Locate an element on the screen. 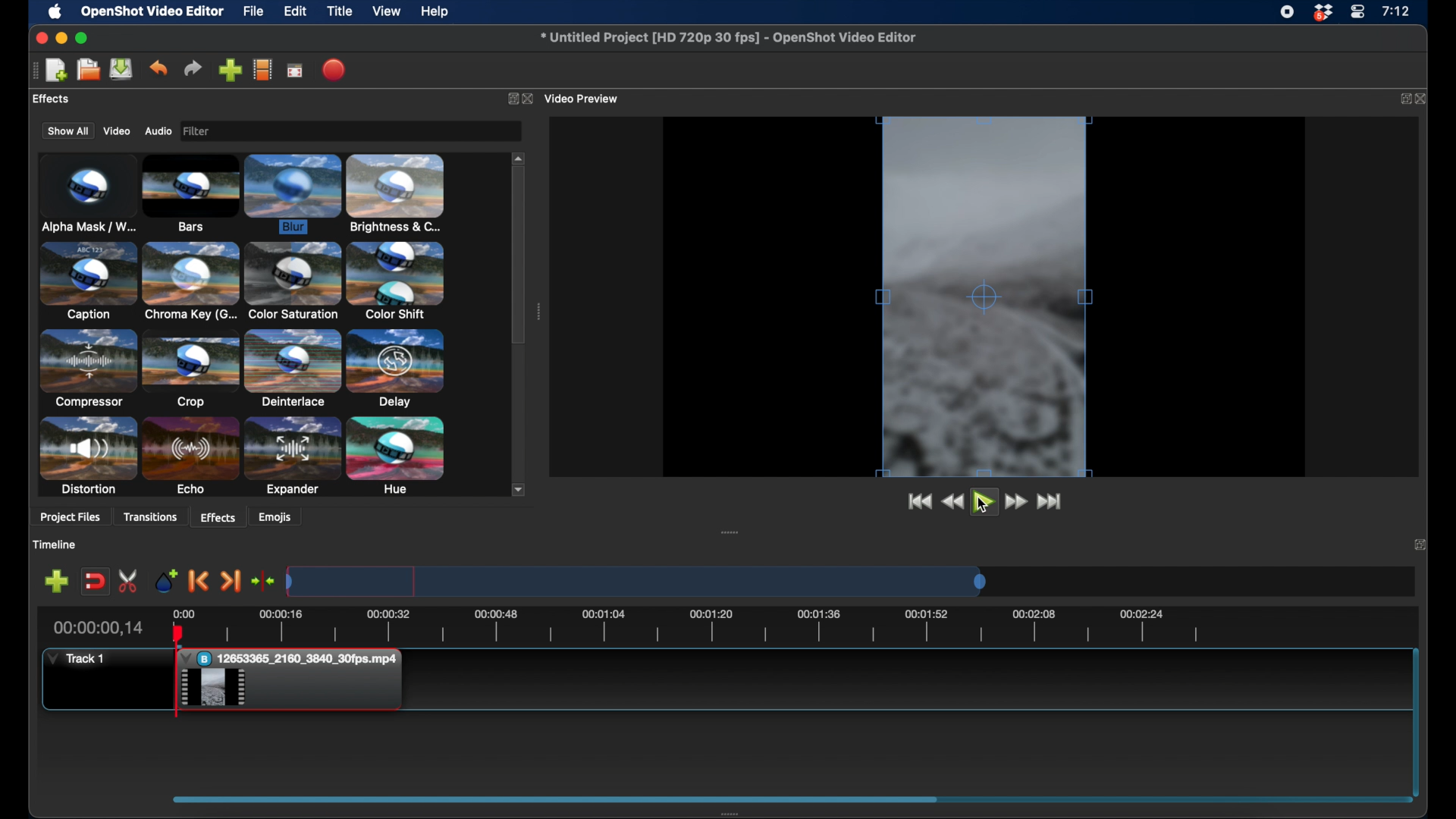 Image resolution: width=1456 pixels, height=819 pixels. deinterlace is located at coordinates (293, 368).